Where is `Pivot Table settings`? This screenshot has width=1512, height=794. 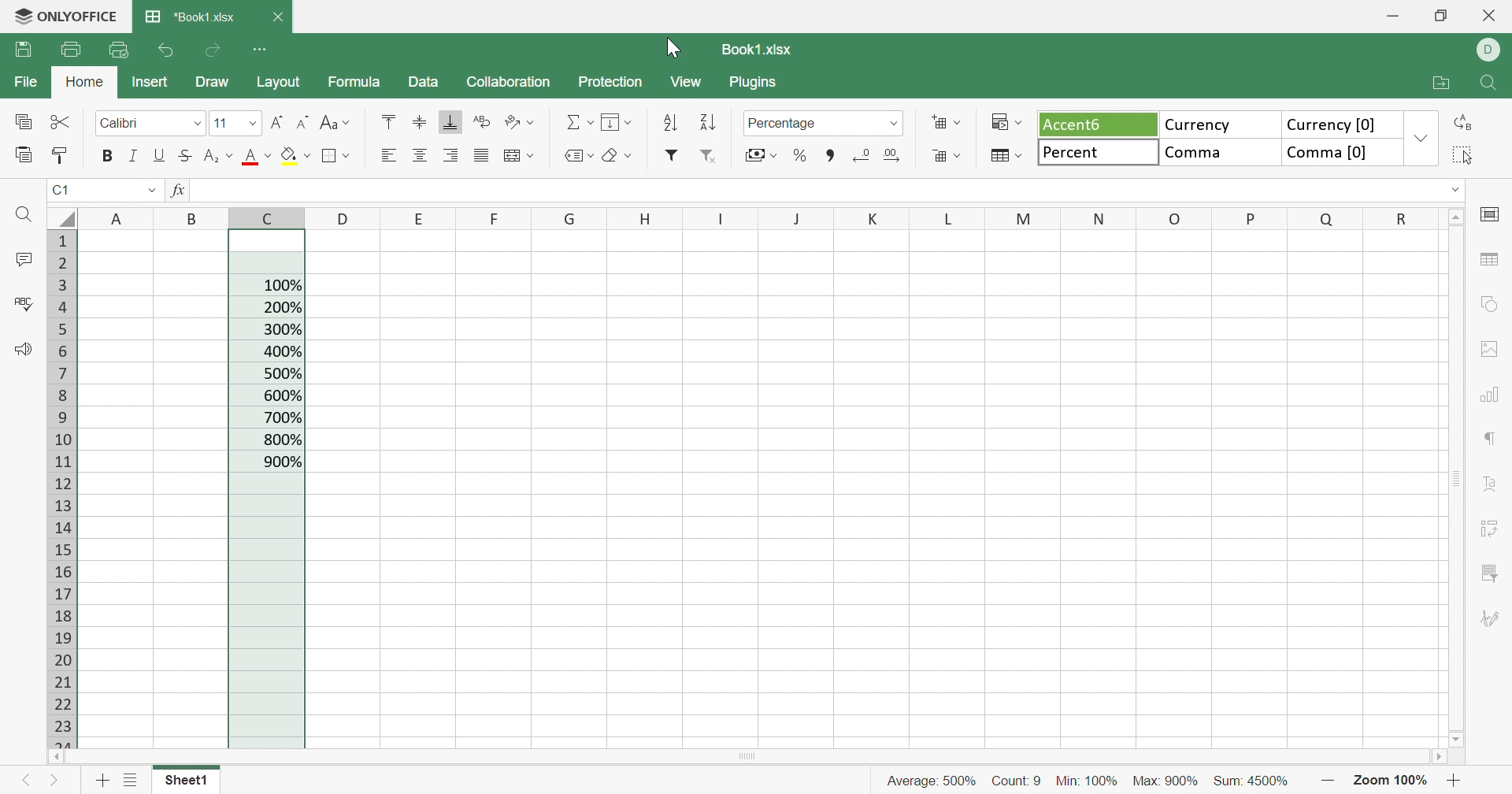
Pivot Table settings is located at coordinates (1494, 531).